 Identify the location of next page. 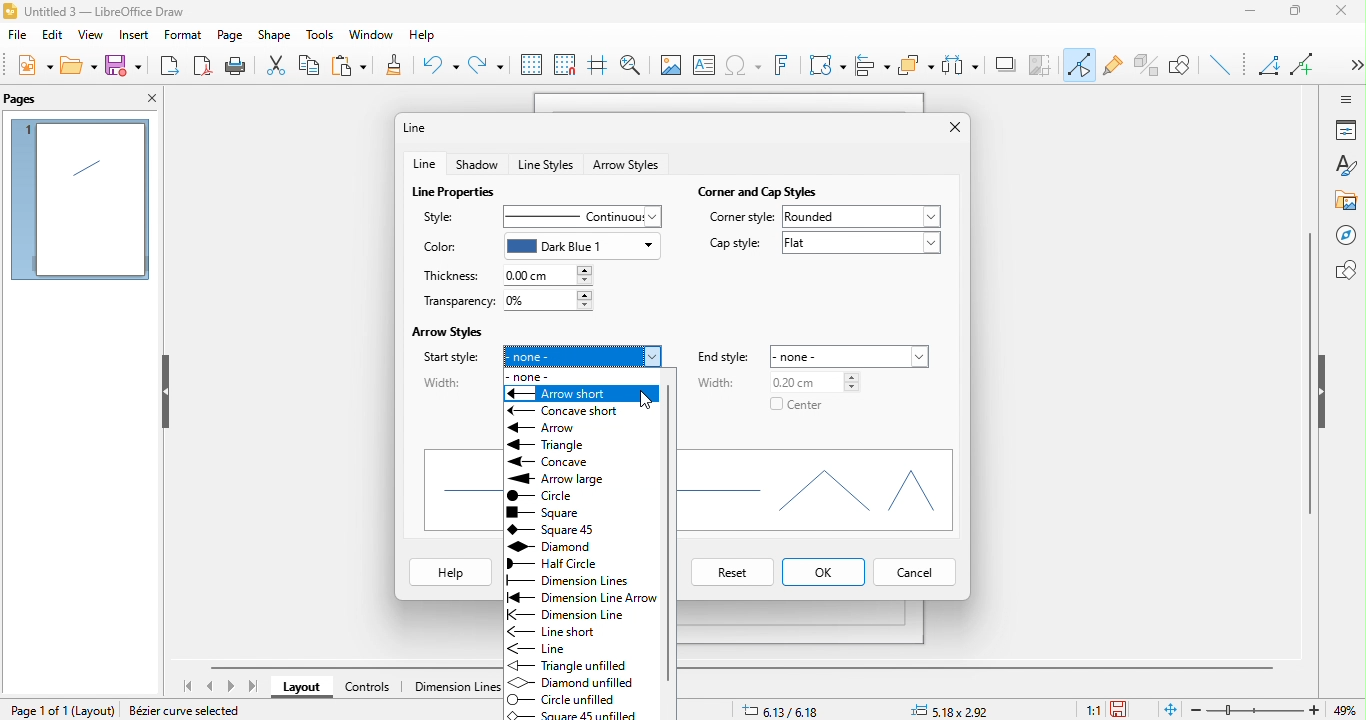
(231, 687).